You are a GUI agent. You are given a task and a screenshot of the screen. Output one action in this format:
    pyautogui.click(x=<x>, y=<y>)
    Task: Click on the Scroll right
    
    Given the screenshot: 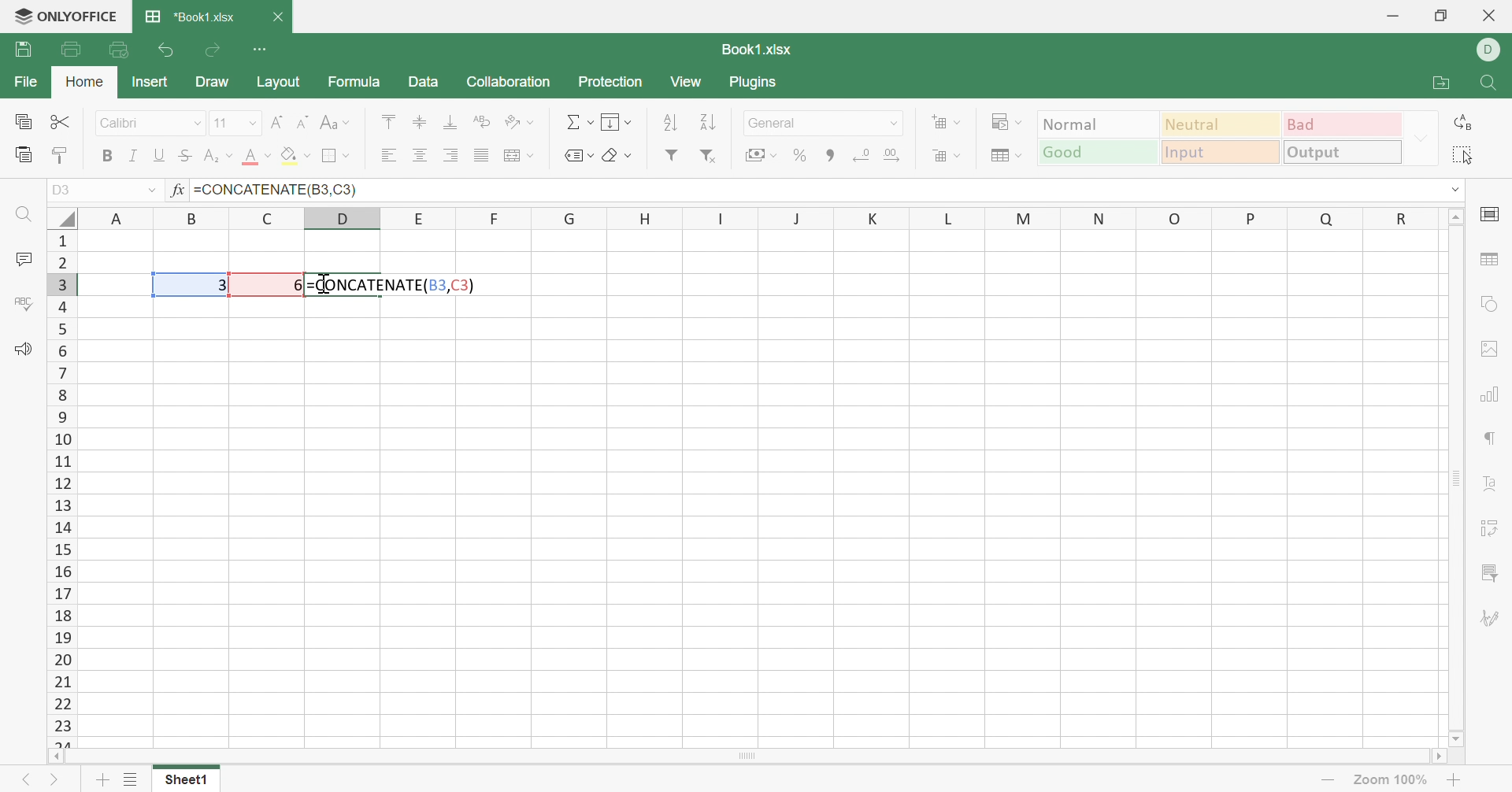 What is the action you would take?
    pyautogui.click(x=1437, y=757)
    